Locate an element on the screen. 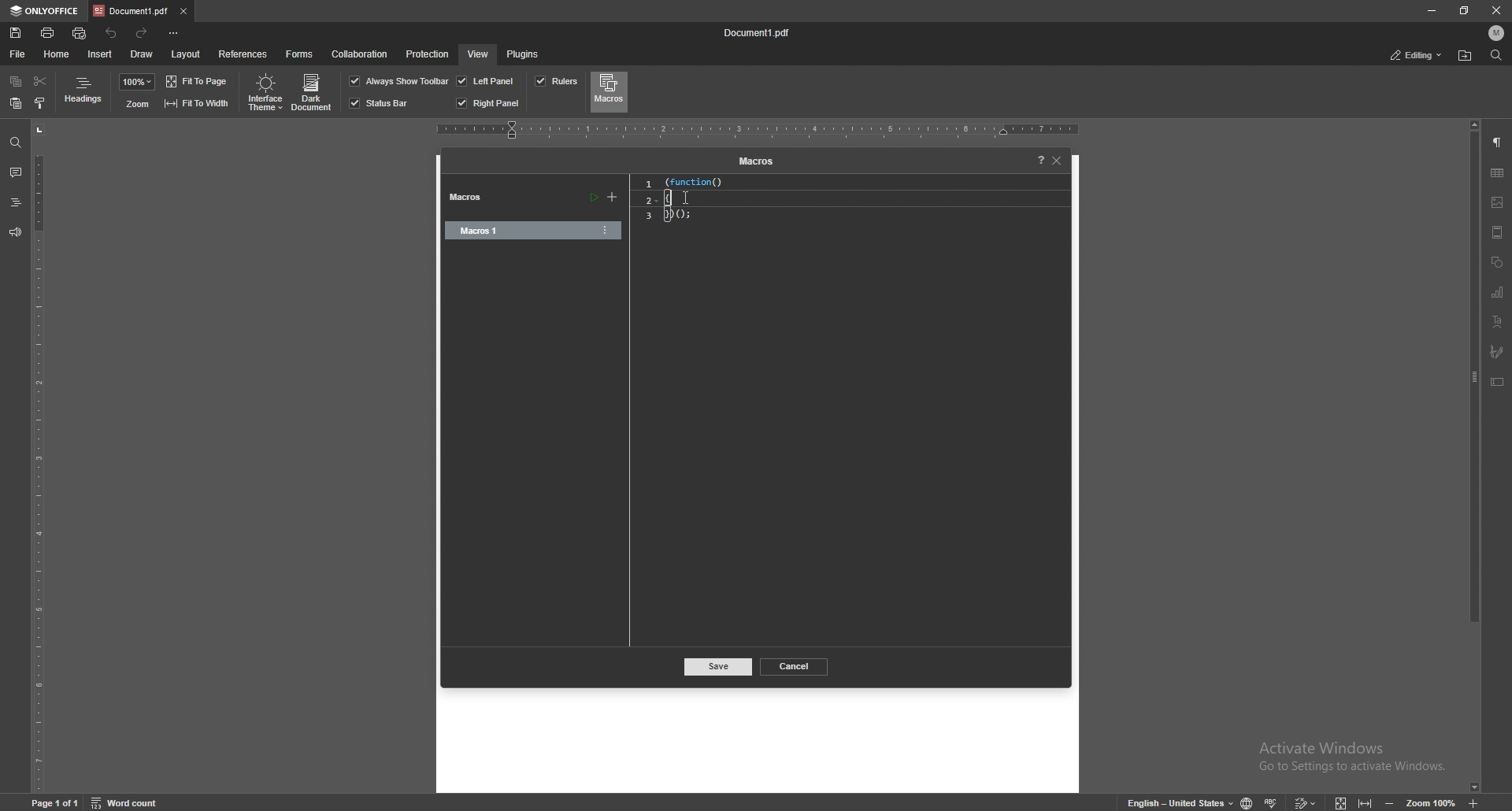 This screenshot has width=1512, height=811. dark document is located at coordinates (313, 93).